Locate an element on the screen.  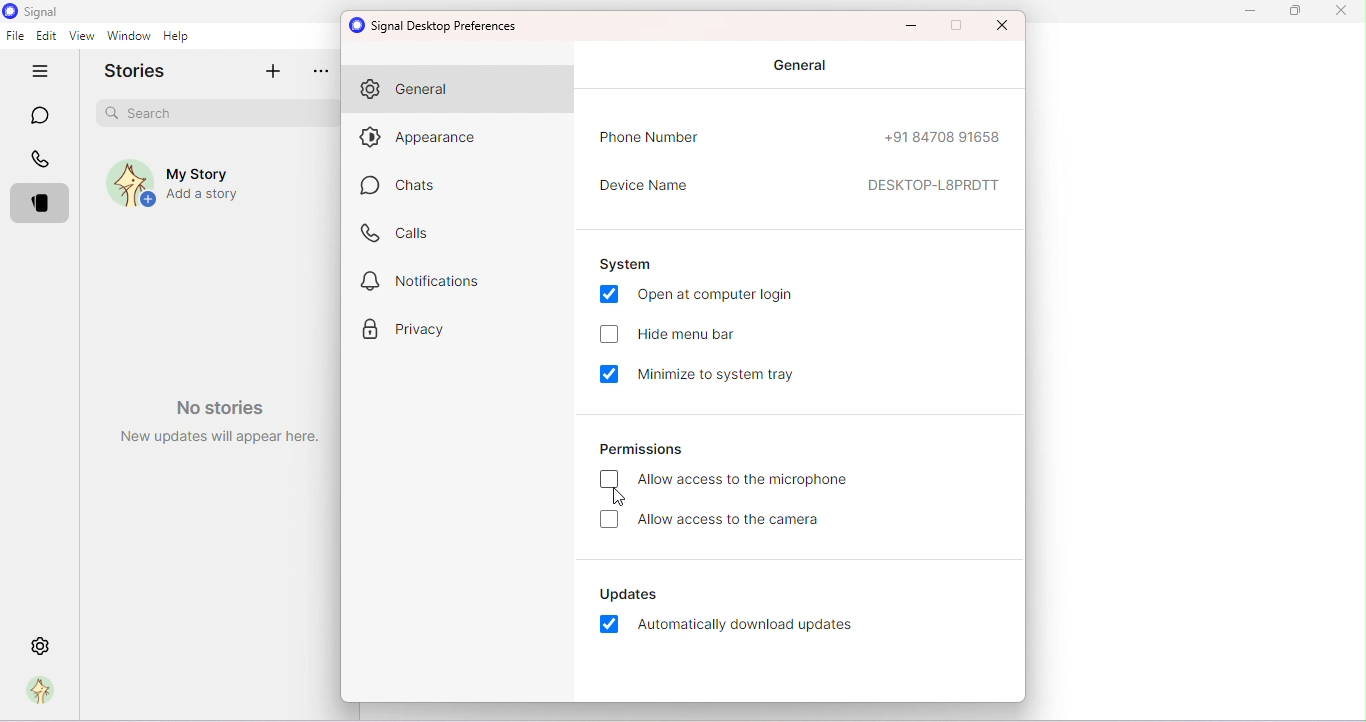
Permissions is located at coordinates (639, 446).